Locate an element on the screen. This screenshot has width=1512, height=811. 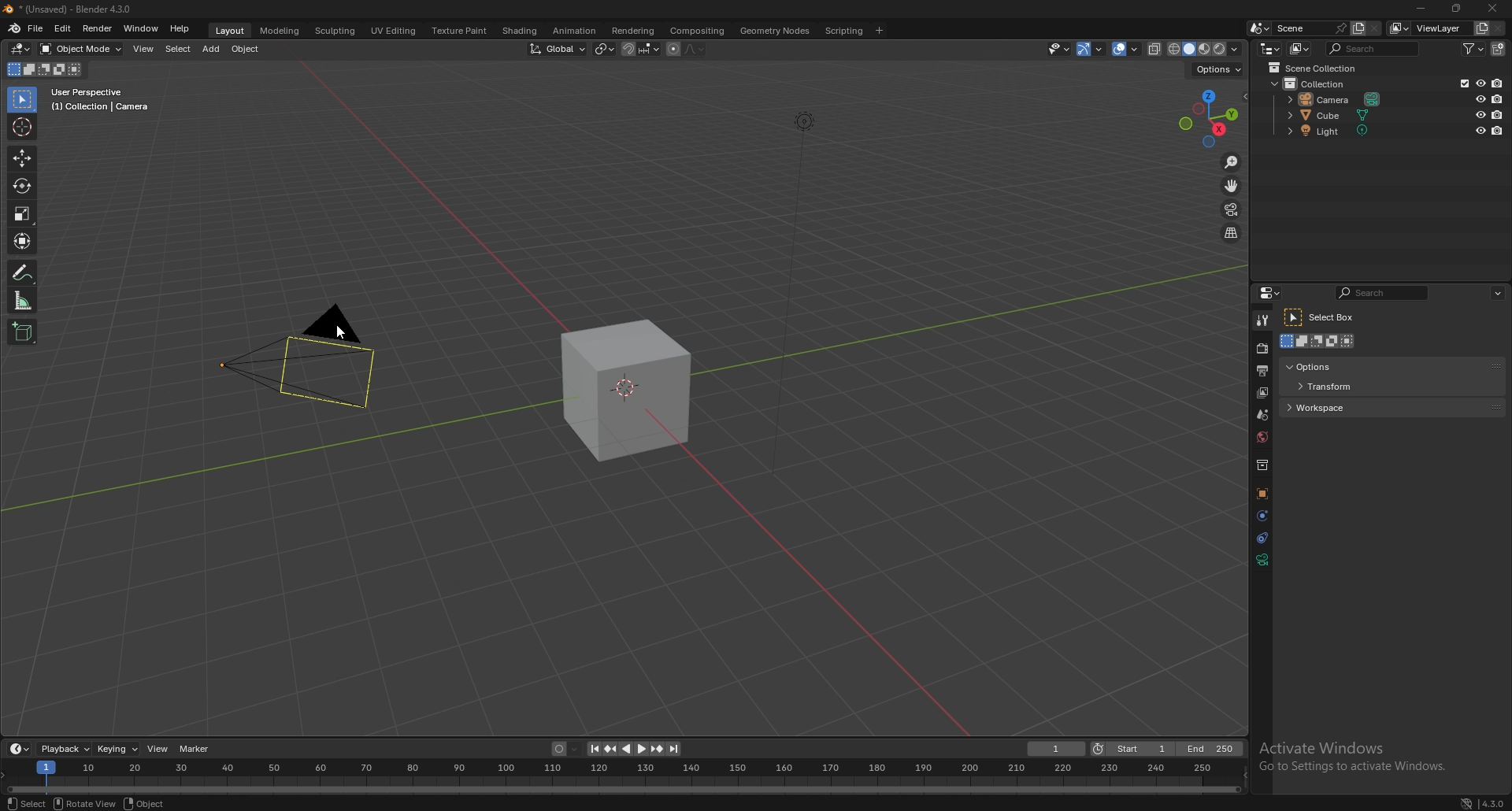
scale is located at coordinates (24, 213).